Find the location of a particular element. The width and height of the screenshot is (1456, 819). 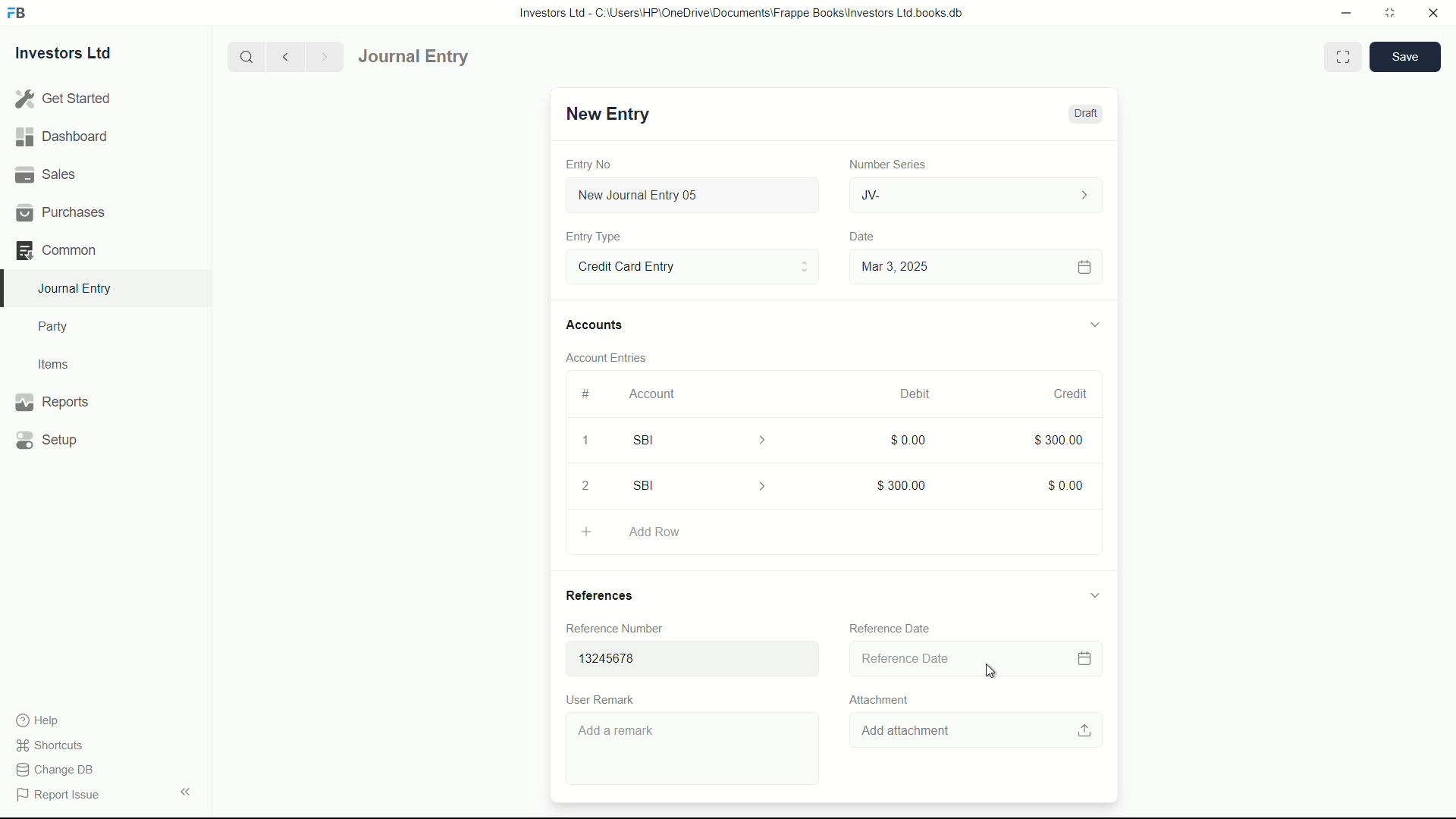

FrappeBooks logo is located at coordinates (17, 14).